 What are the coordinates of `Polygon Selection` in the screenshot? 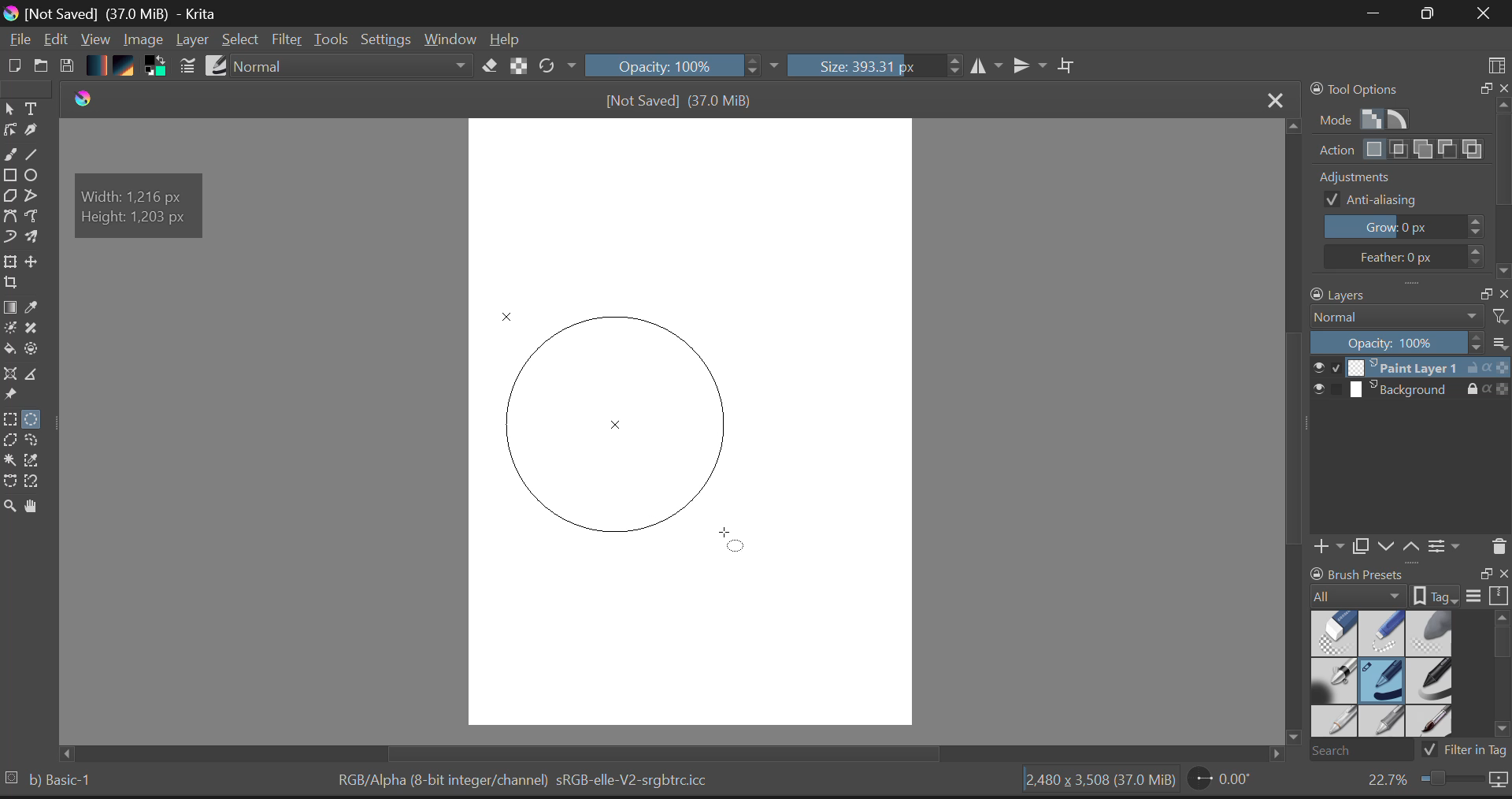 It's located at (13, 443).